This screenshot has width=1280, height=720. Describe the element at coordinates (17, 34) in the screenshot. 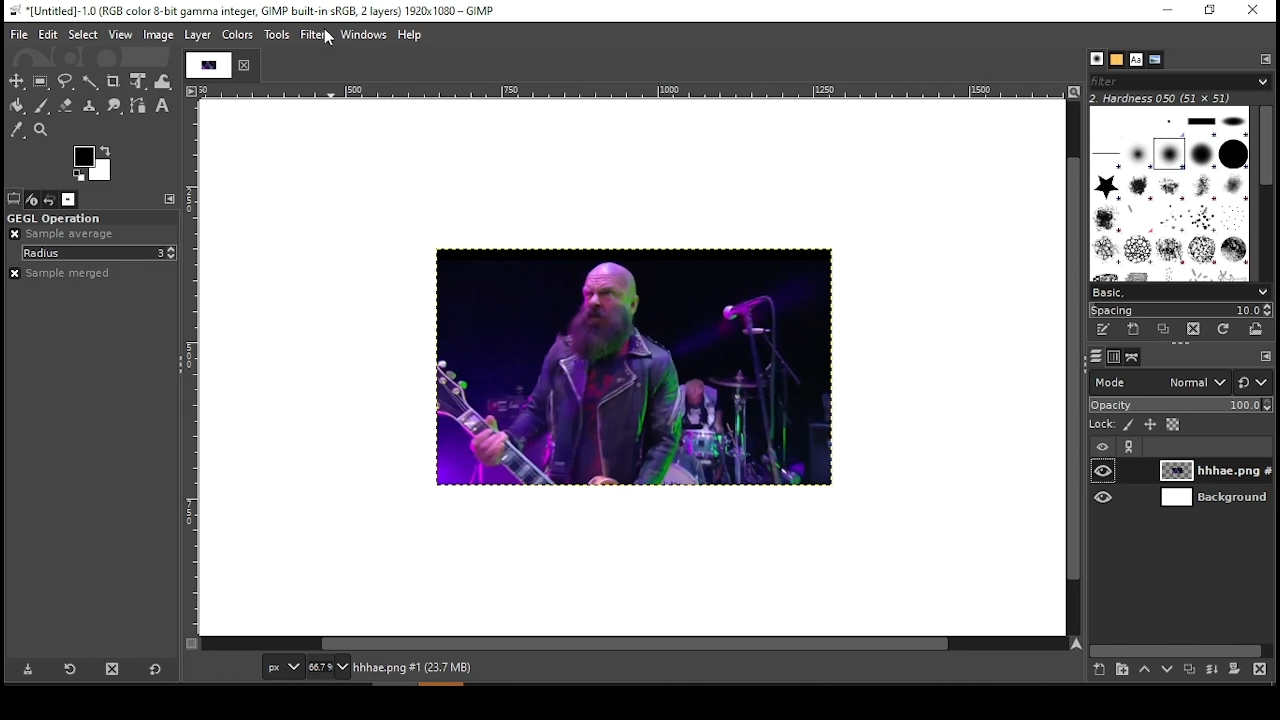

I see `file` at that location.